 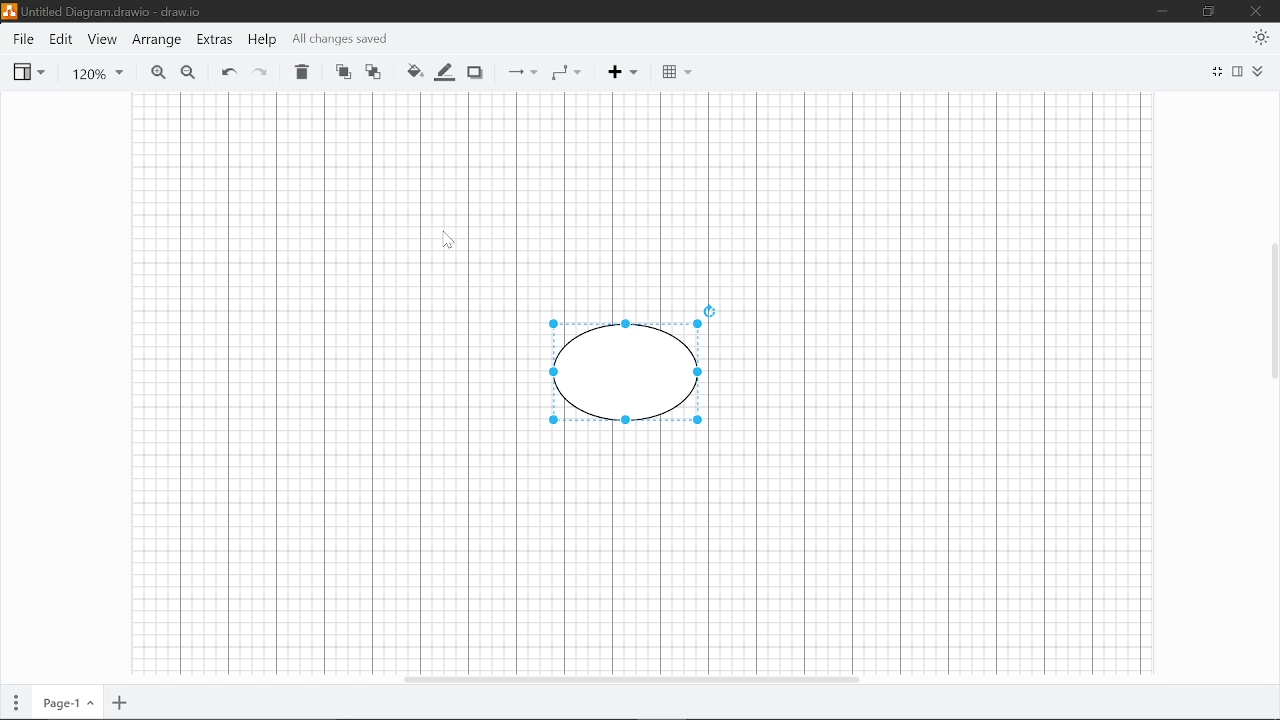 I want to click on Full screen, so click(x=1216, y=71).